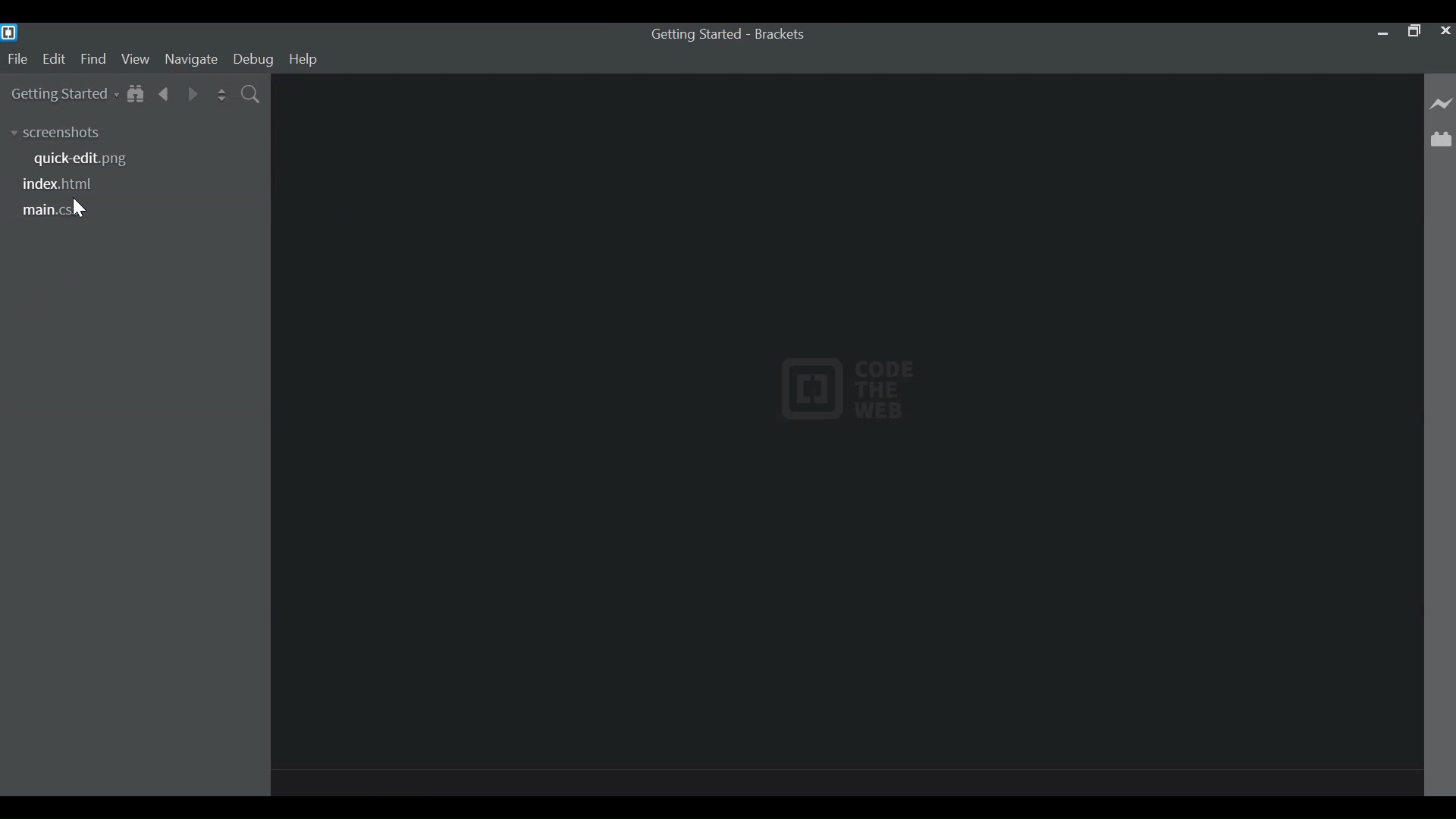 The image size is (1456, 819). I want to click on index.html, so click(61, 185).